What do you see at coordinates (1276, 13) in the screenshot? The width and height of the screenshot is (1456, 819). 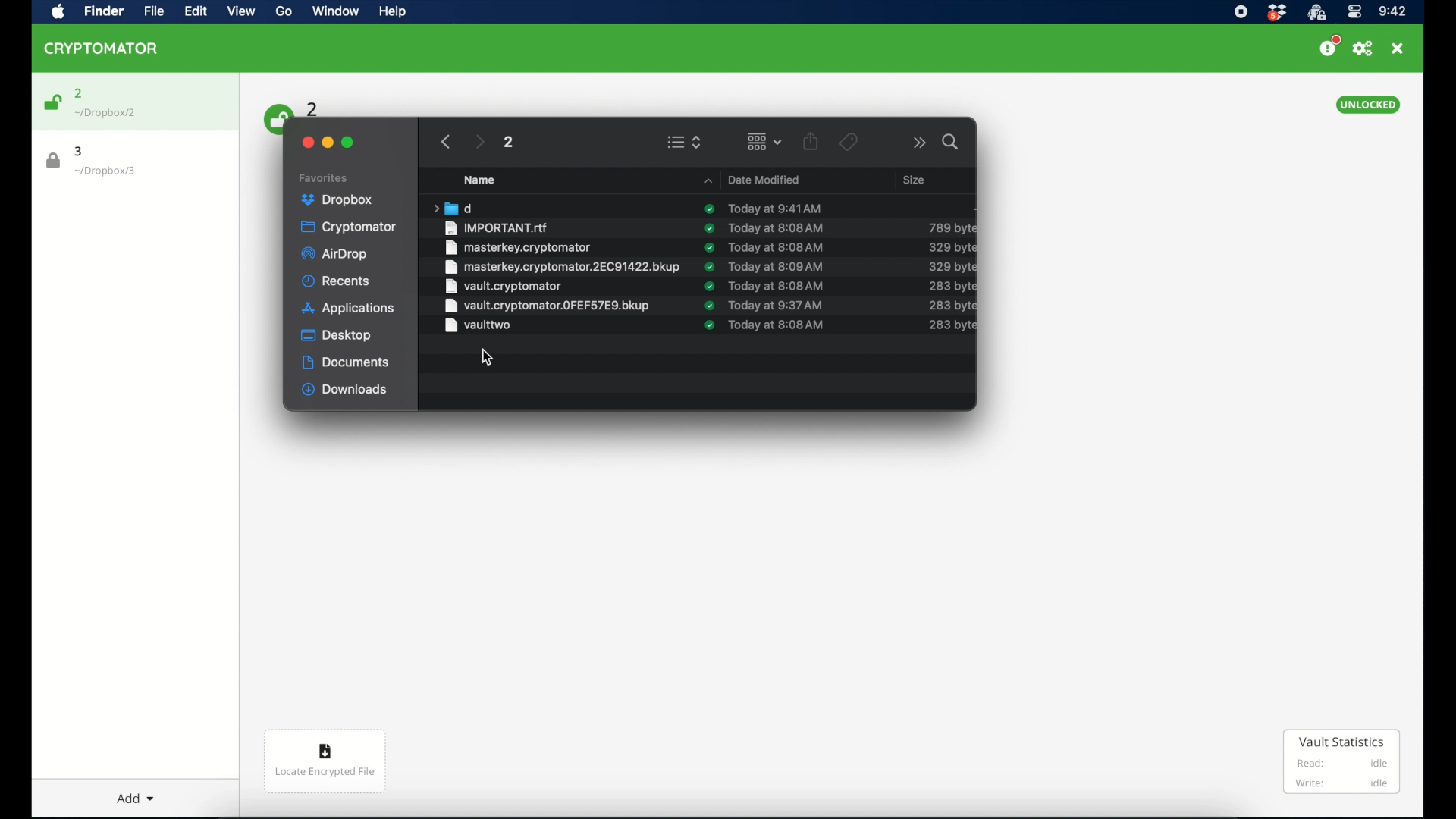 I see `dropbox icon` at bounding box center [1276, 13].